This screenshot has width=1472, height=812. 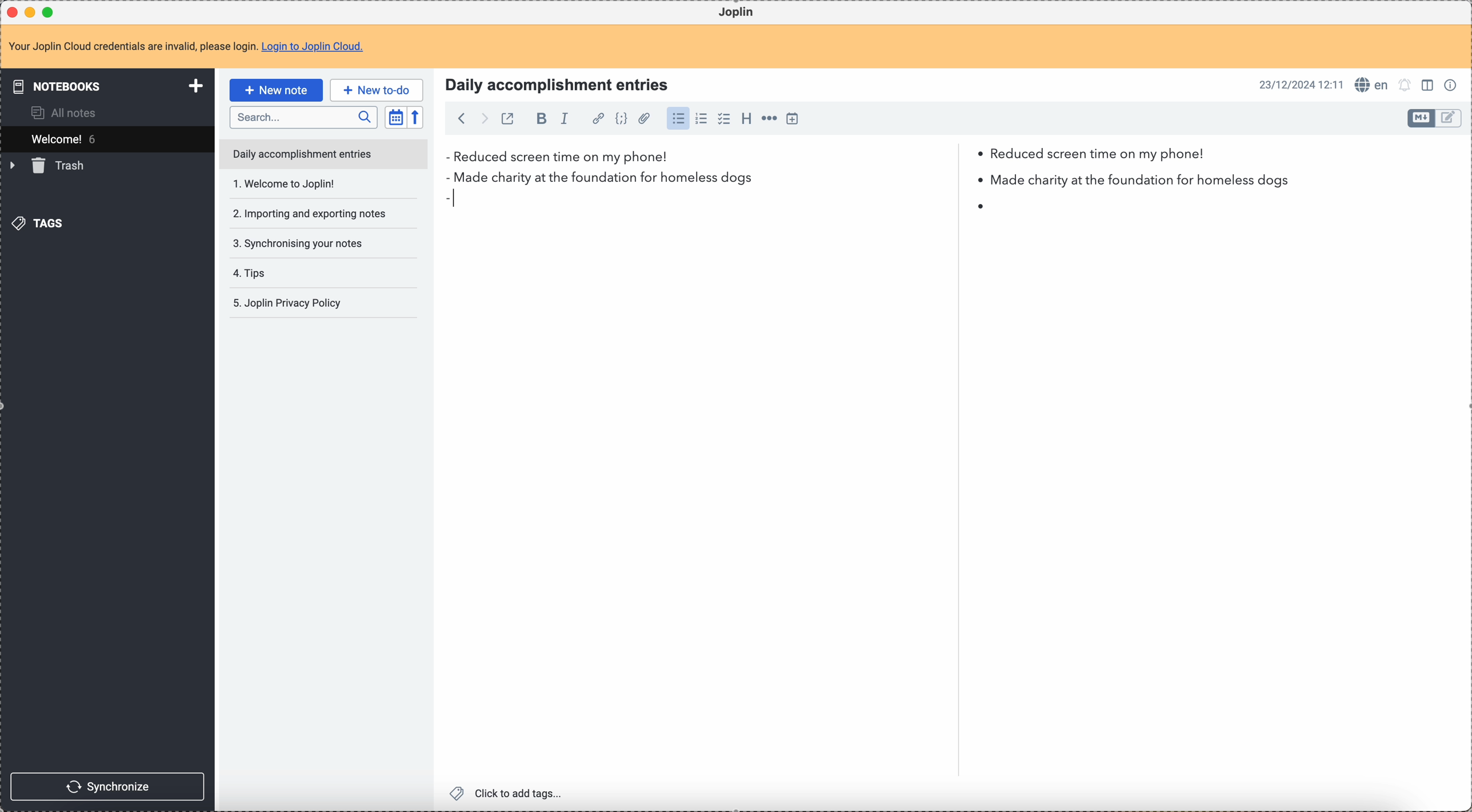 I want to click on new to-do, so click(x=377, y=89).